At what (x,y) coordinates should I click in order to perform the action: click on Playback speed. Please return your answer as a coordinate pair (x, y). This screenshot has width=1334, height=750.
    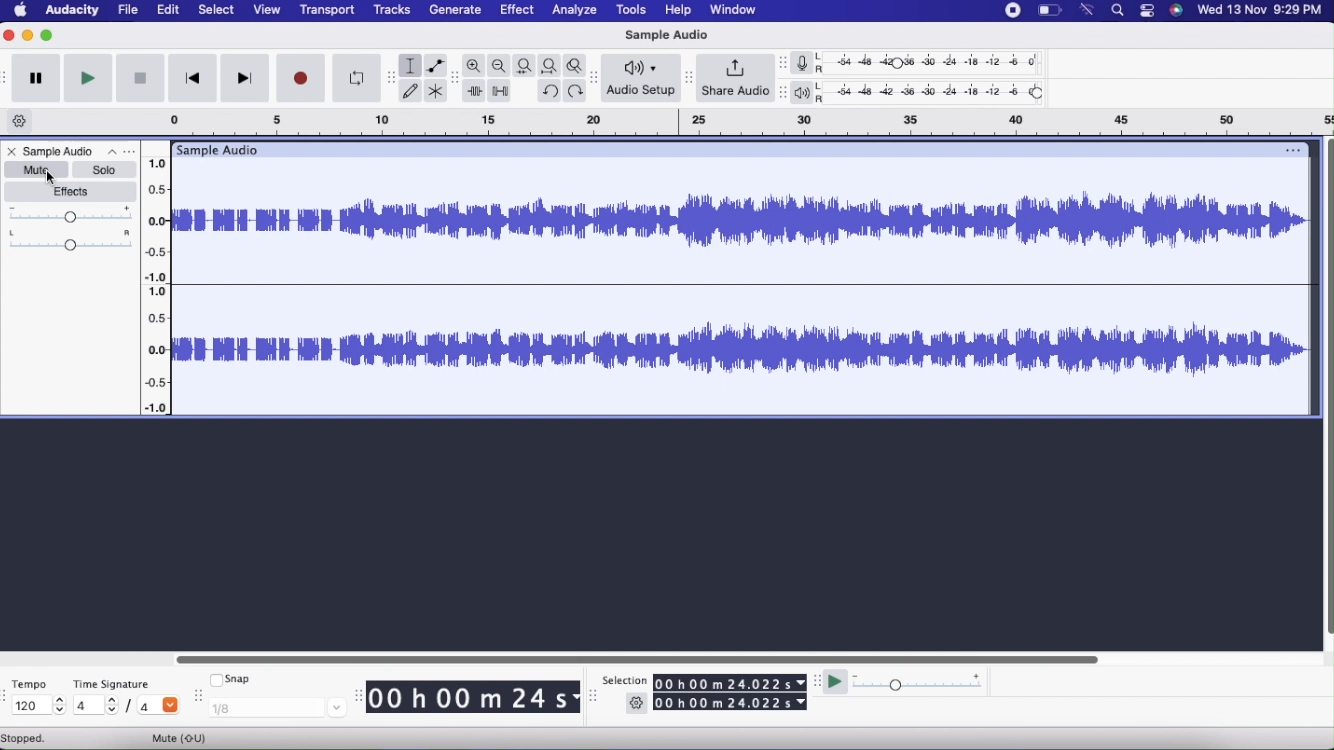
    Looking at the image, I should click on (917, 684).